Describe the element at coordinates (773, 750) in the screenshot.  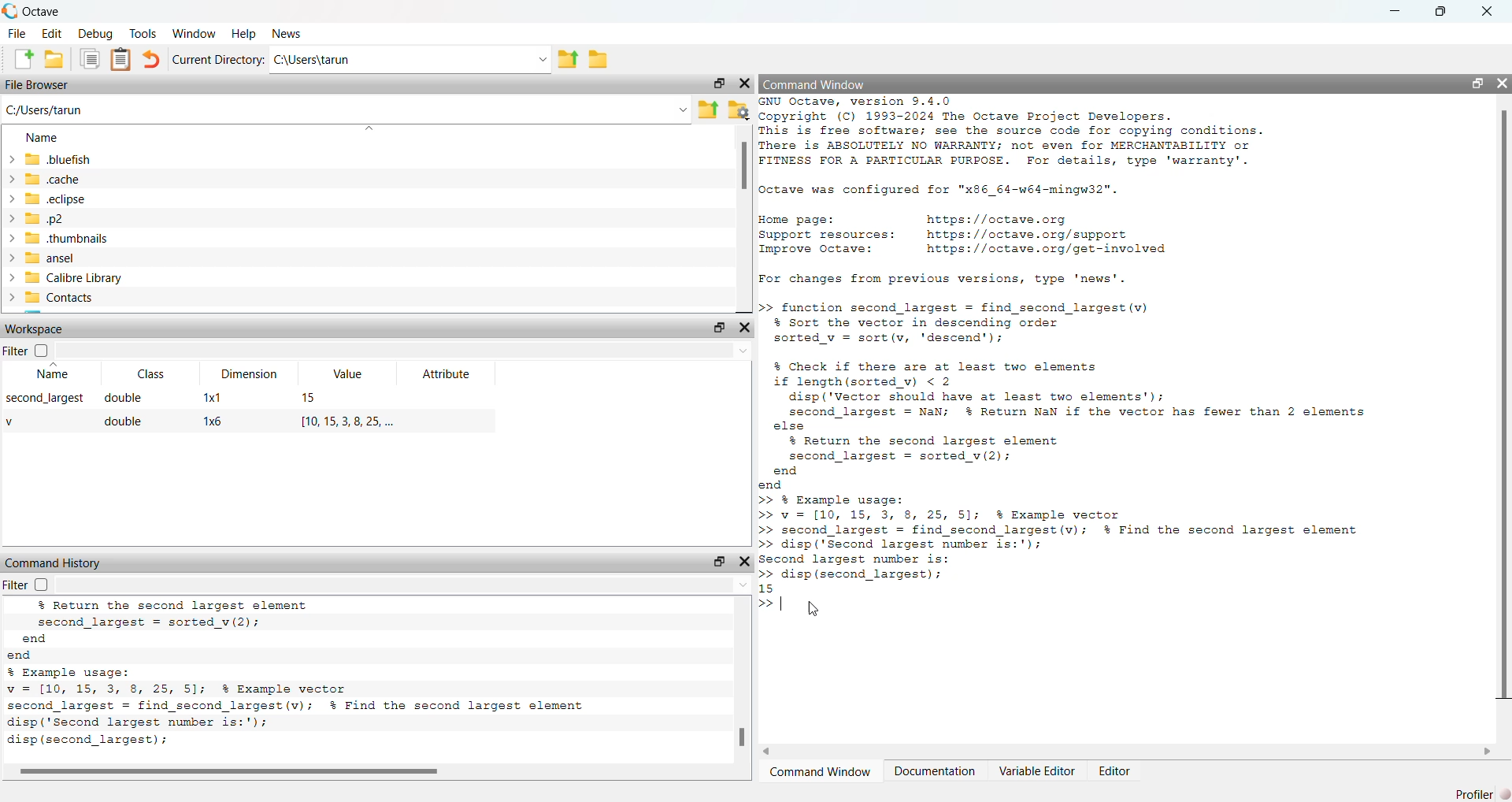
I see `move left` at that location.